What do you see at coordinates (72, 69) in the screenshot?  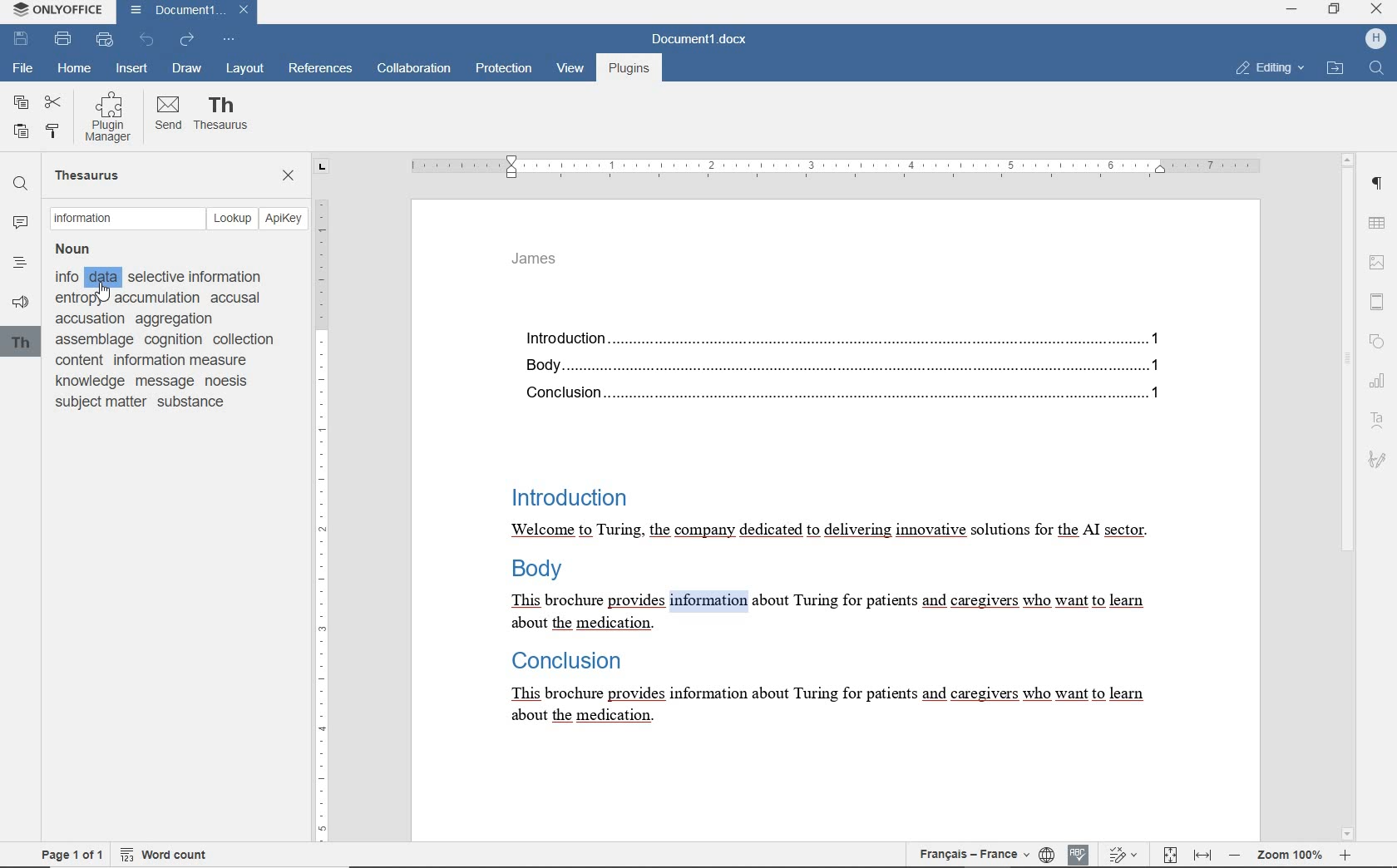 I see `HOME` at bounding box center [72, 69].